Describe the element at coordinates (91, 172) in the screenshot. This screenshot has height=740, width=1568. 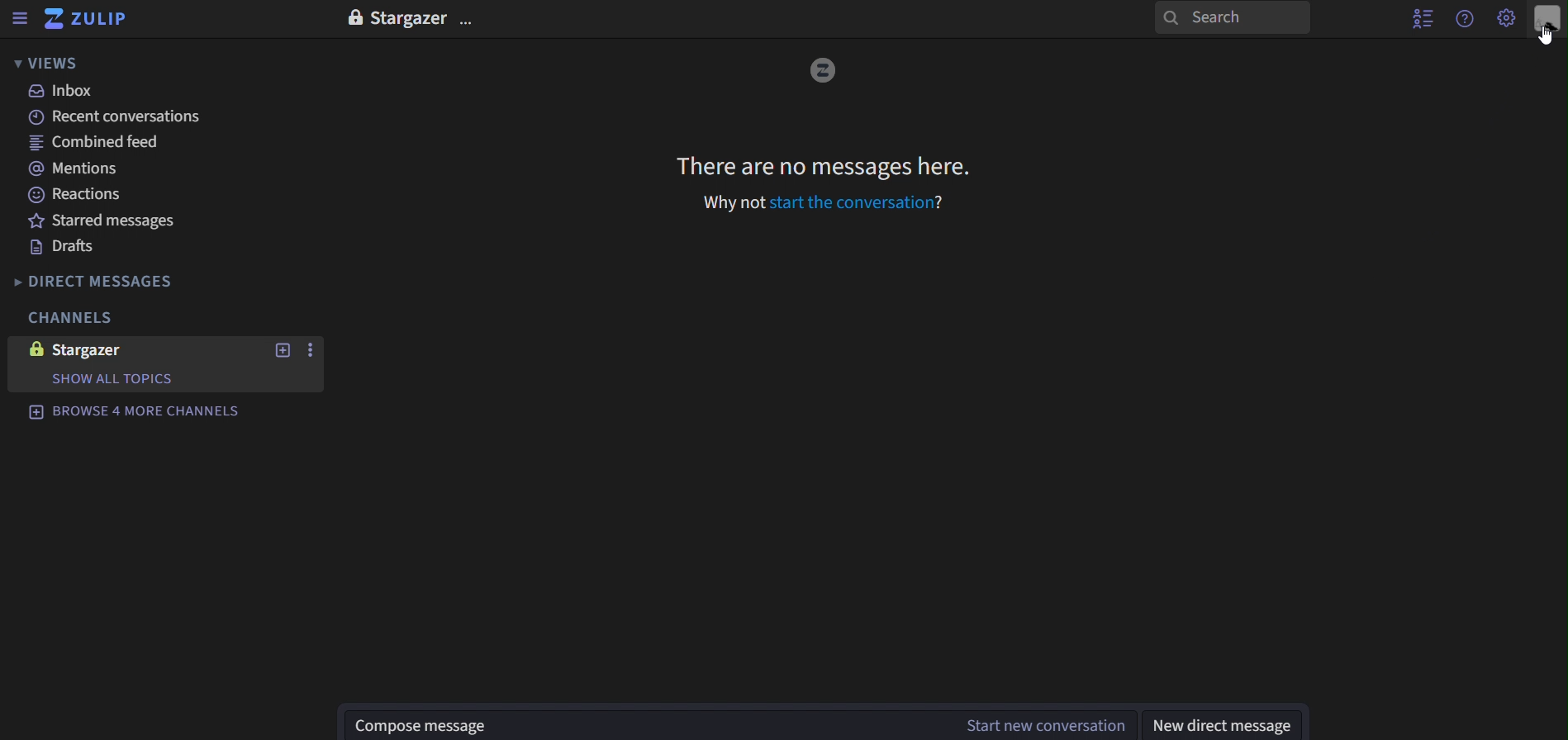
I see `mentions` at that location.